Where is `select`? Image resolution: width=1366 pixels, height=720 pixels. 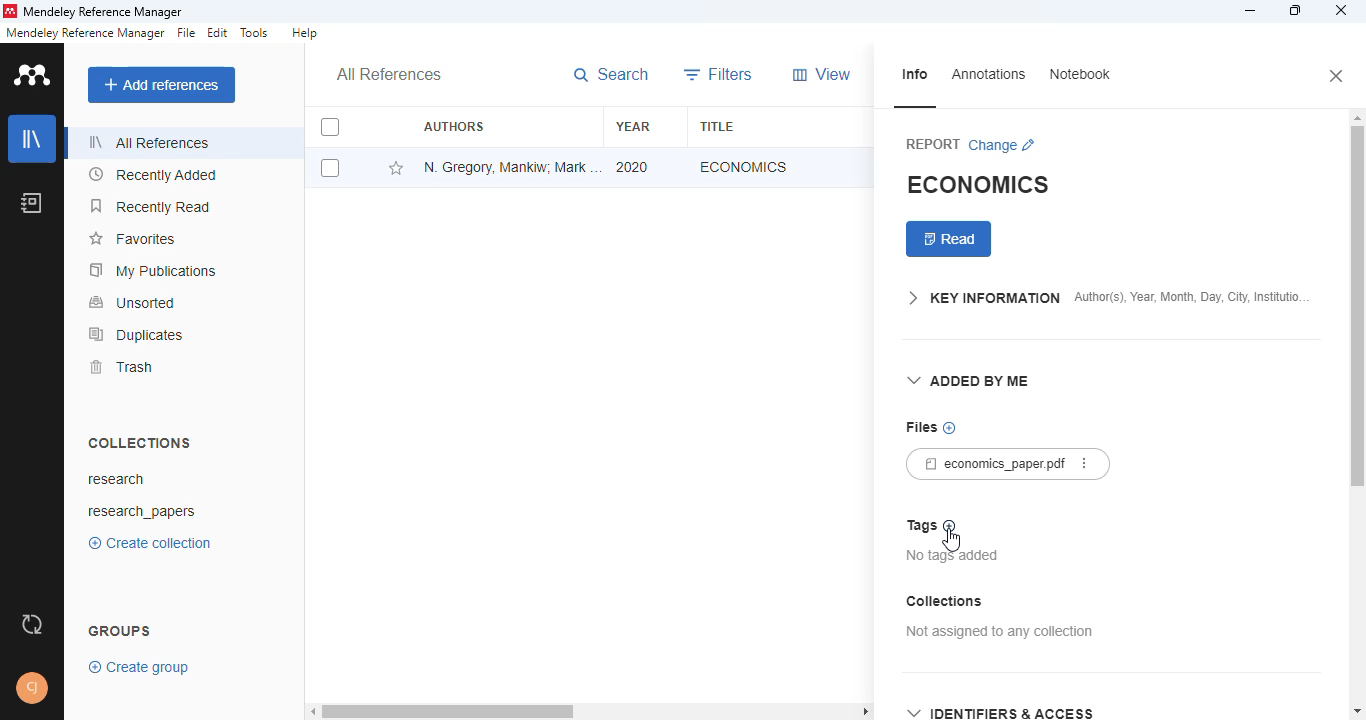
select is located at coordinates (330, 168).